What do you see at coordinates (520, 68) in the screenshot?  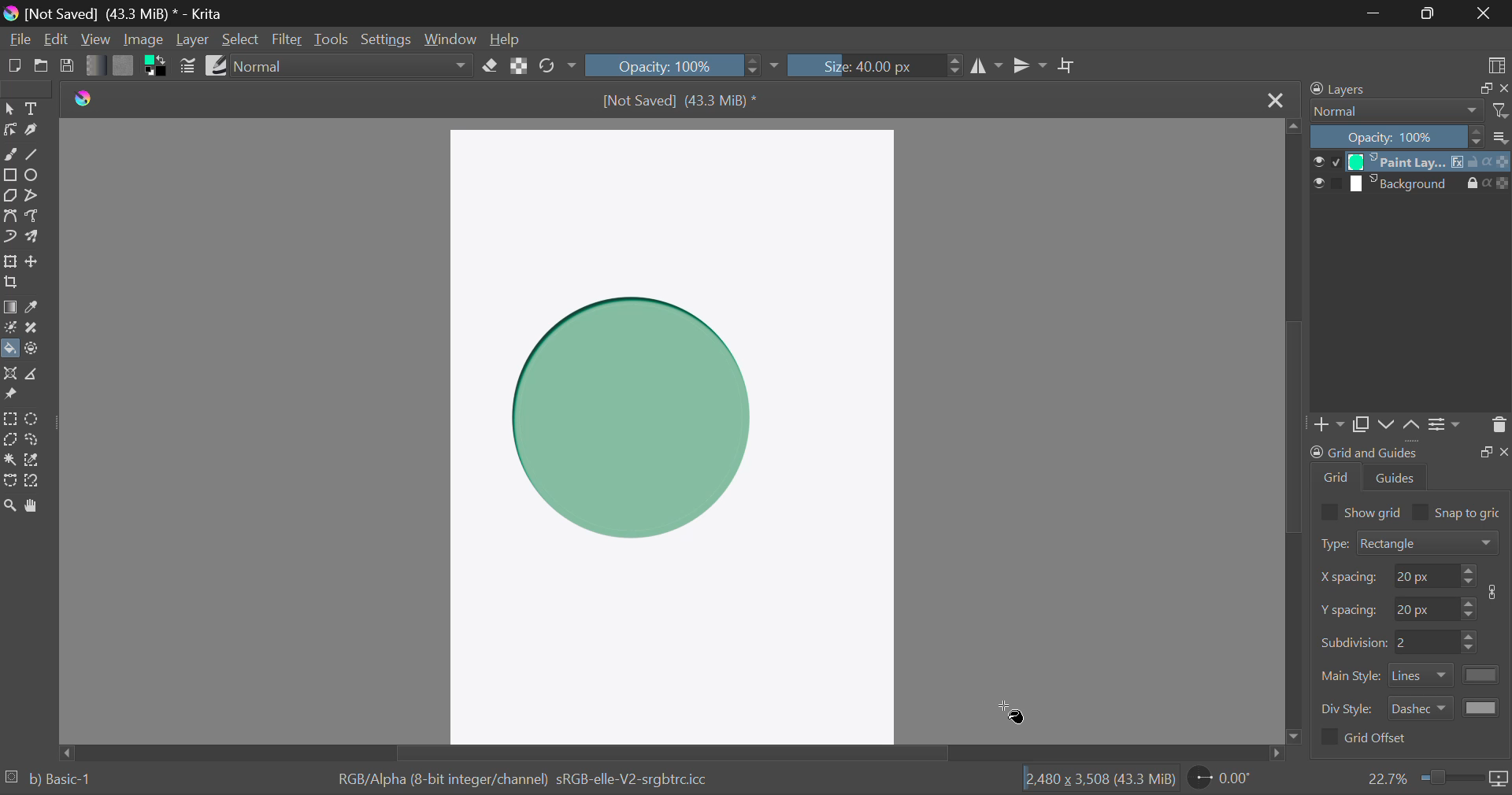 I see `Lock Alpha` at bounding box center [520, 68].